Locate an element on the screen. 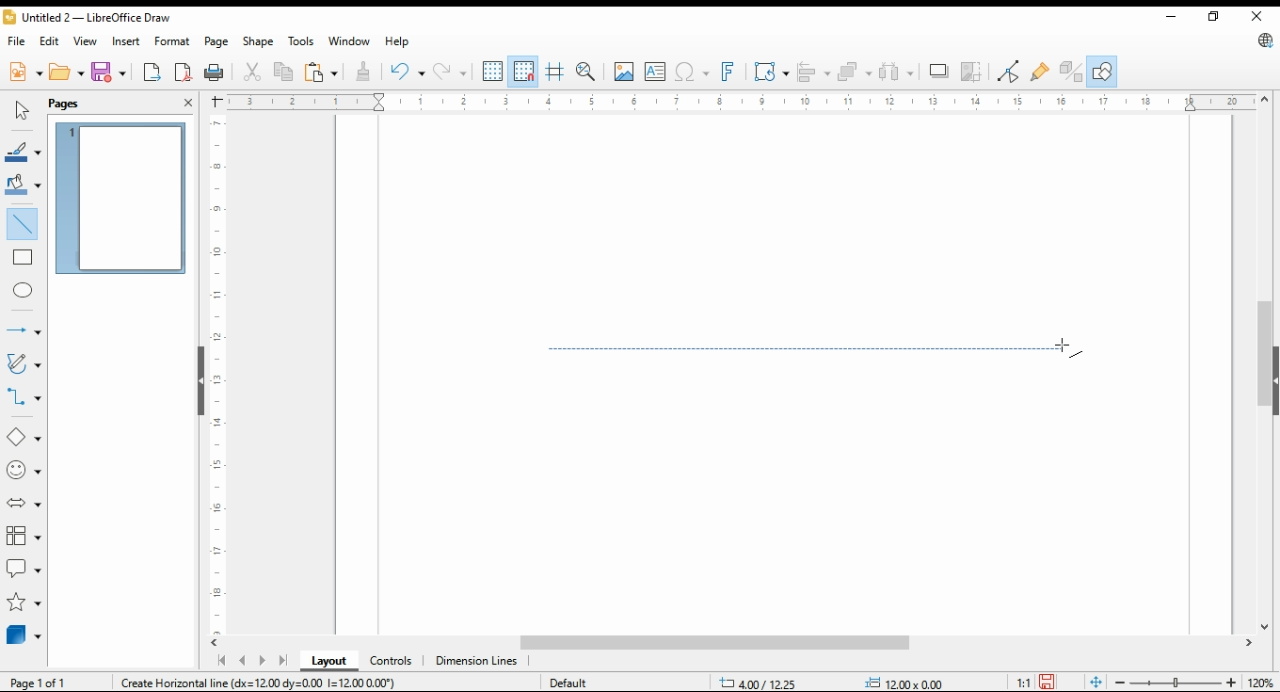 The height and width of the screenshot is (692, 1280). Create Horizontal line (dx=1200 dy=000 1=12.00 0.00") is located at coordinates (259, 681).